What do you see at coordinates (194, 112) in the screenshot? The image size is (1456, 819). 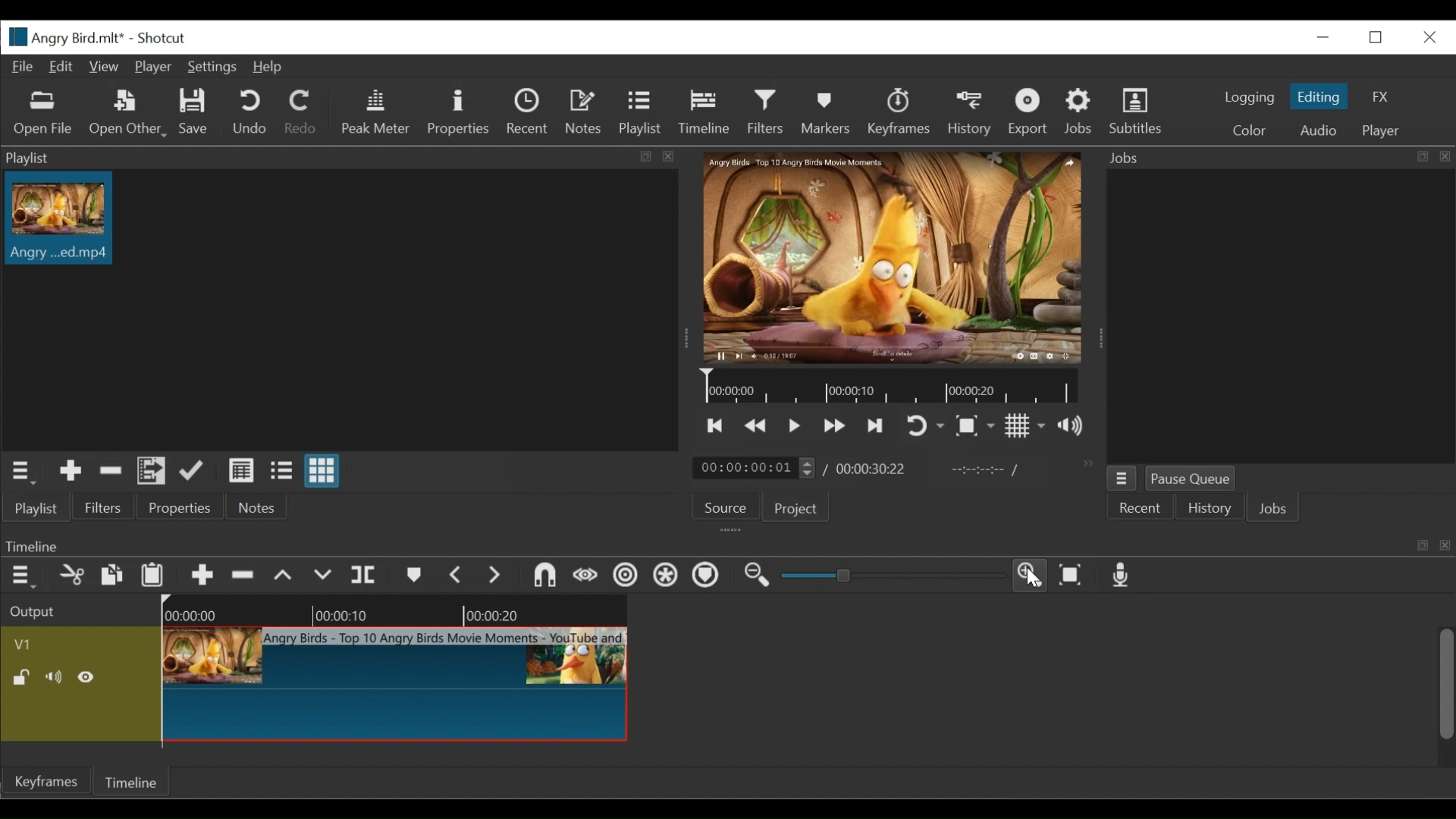 I see `Save` at bounding box center [194, 112].